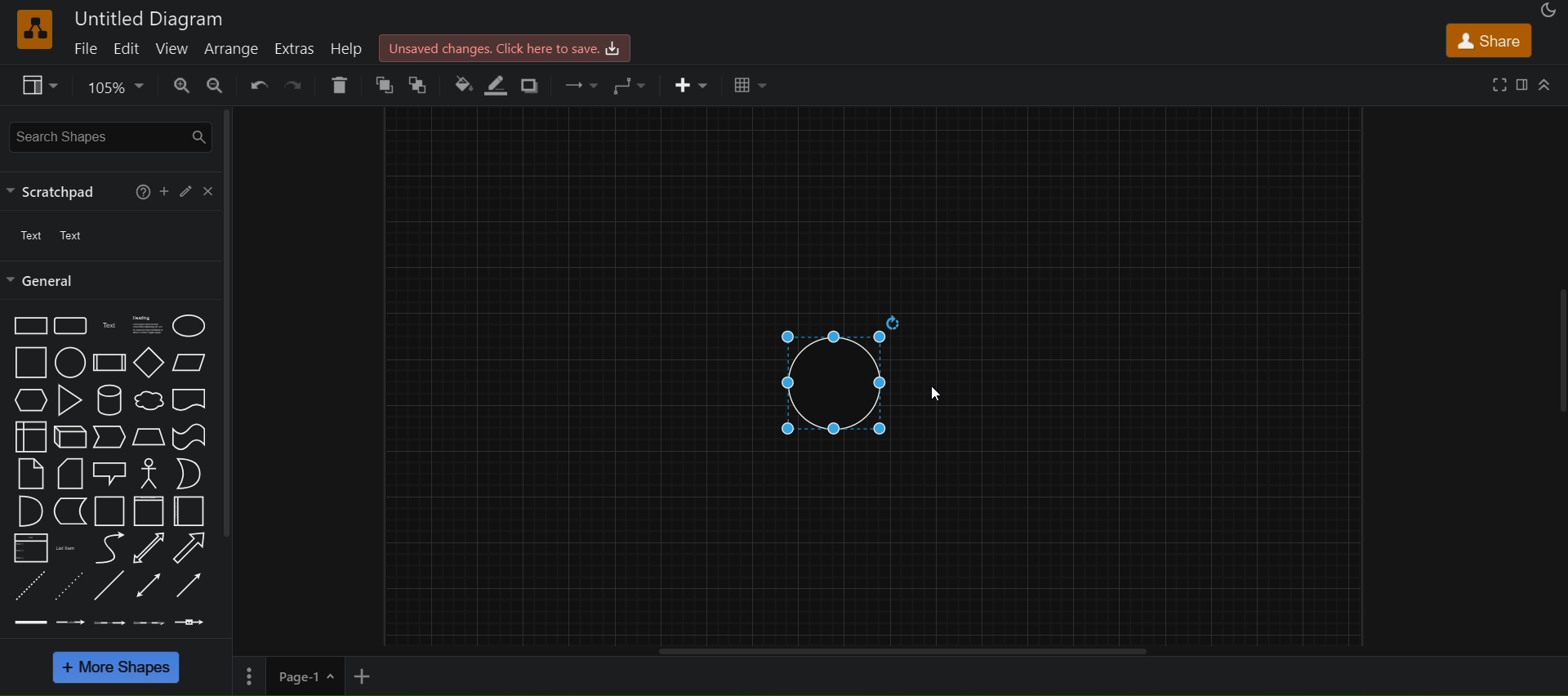 The image size is (1568, 696). What do you see at coordinates (69, 400) in the screenshot?
I see `triangle` at bounding box center [69, 400].